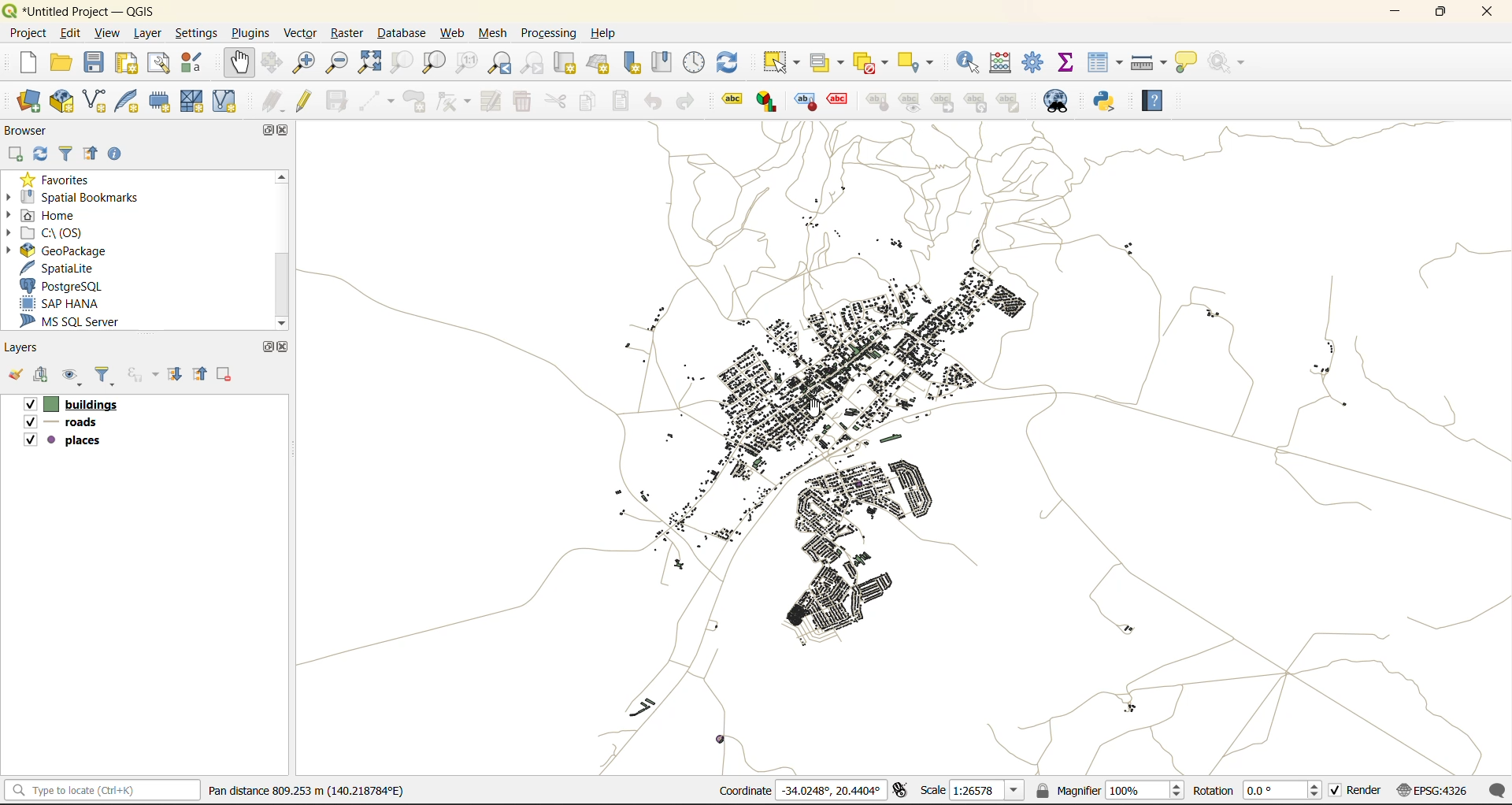 Image resolution: width=1512 pixels, height=805 pixels. What do you see at coordinates (845, 383) in the screenshot?
I see `panned map` at bounding box center [845, 383].